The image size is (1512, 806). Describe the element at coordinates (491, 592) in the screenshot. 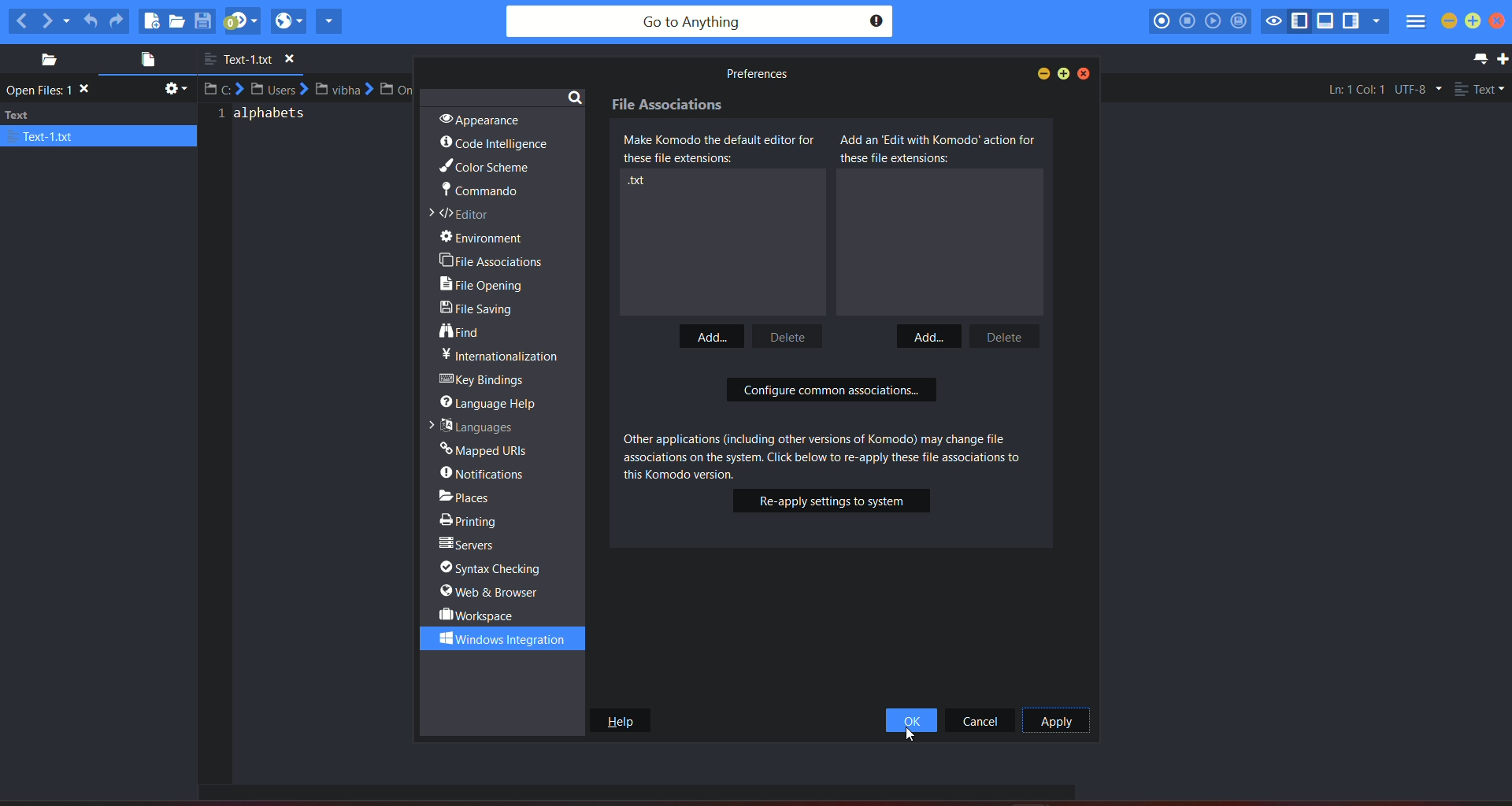

I see `web & browser` at that location.